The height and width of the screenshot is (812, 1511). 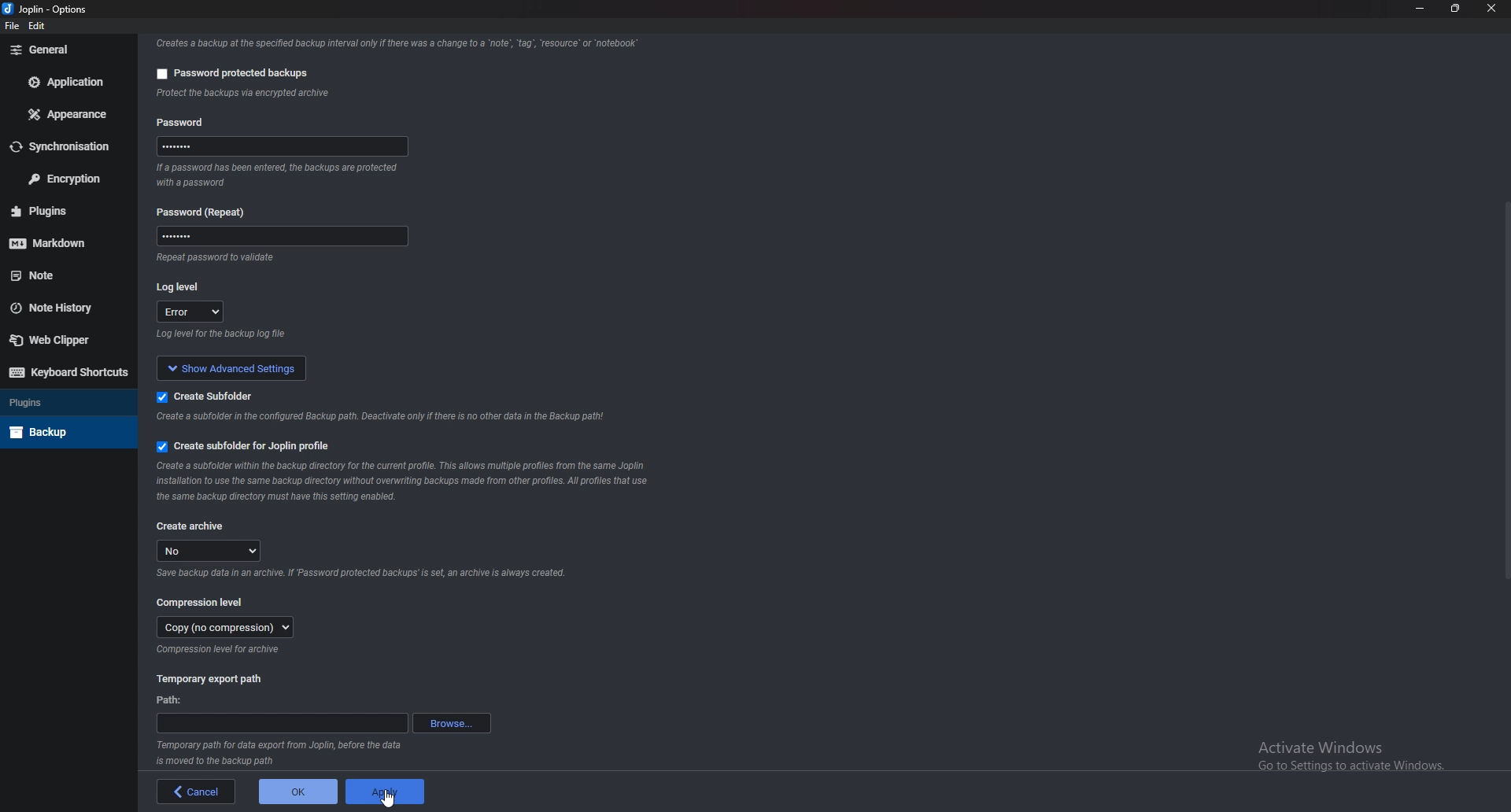 What do you see at coordinates (292, 794) in the screenshot?
I see `ok` at bounding box center [292, 794].